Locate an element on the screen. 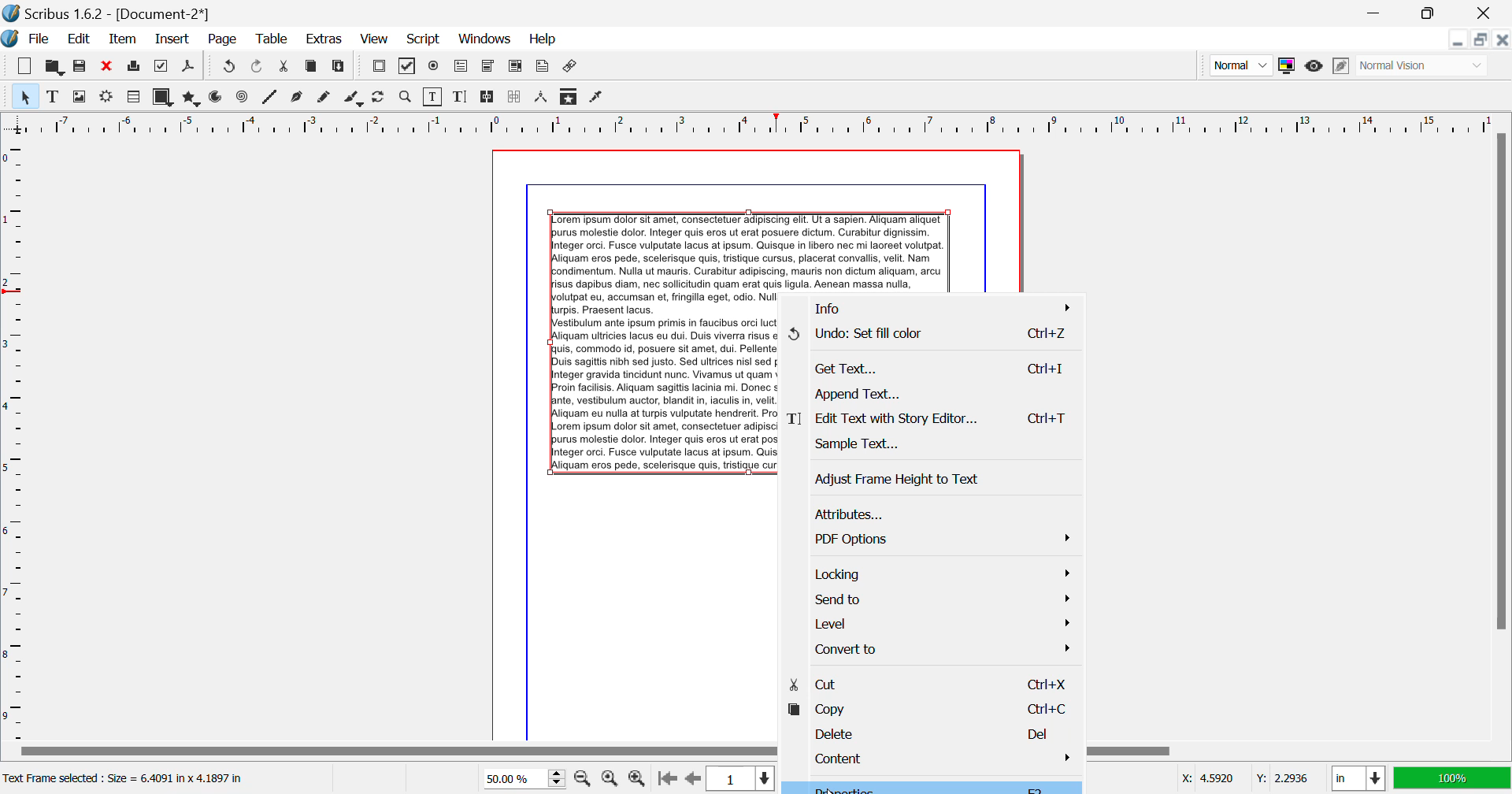  Text Annotation is located at coordinates (542, 68).